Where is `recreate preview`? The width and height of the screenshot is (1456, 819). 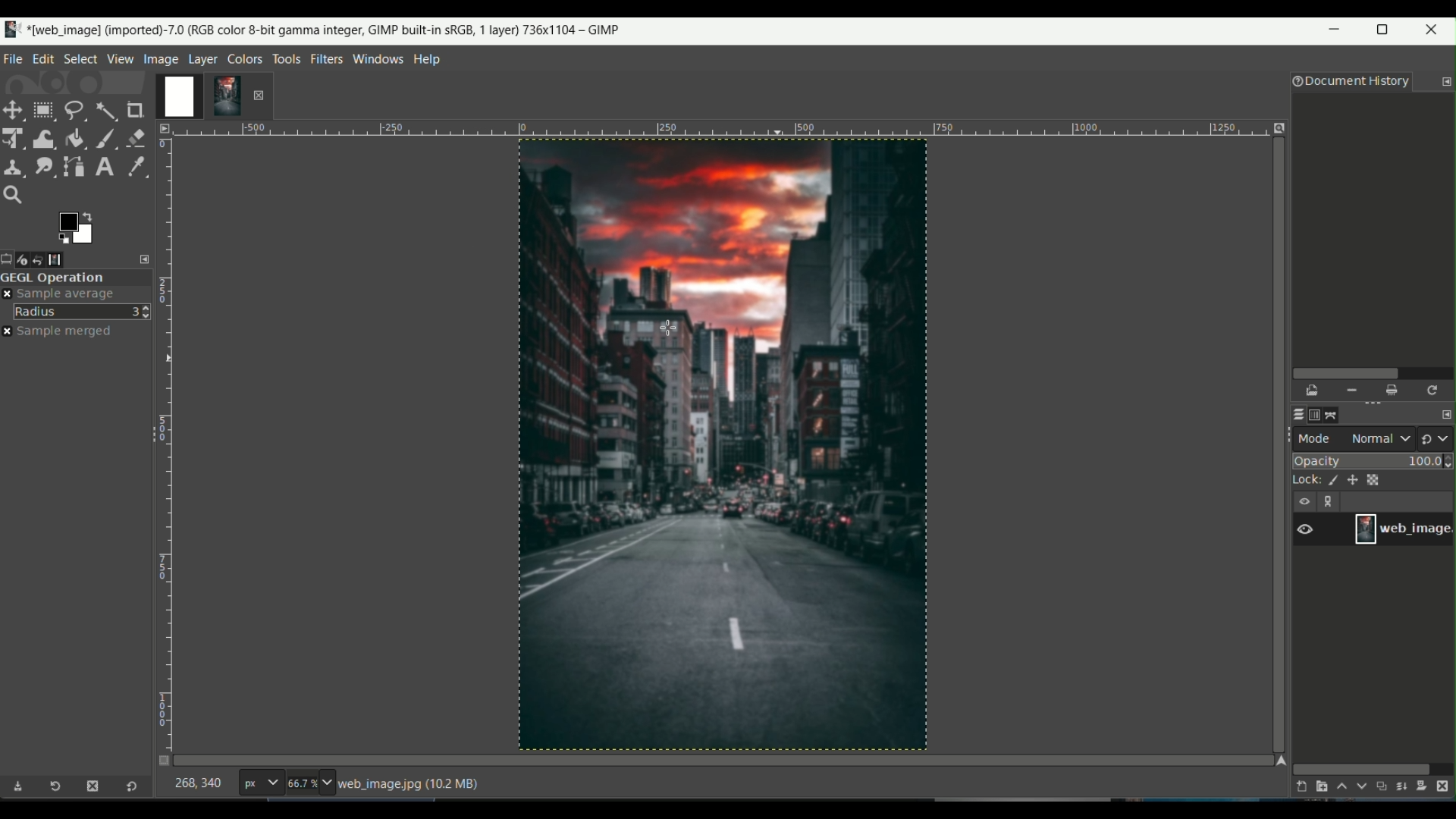 recreate preview is located at coordinates (1434, 390).